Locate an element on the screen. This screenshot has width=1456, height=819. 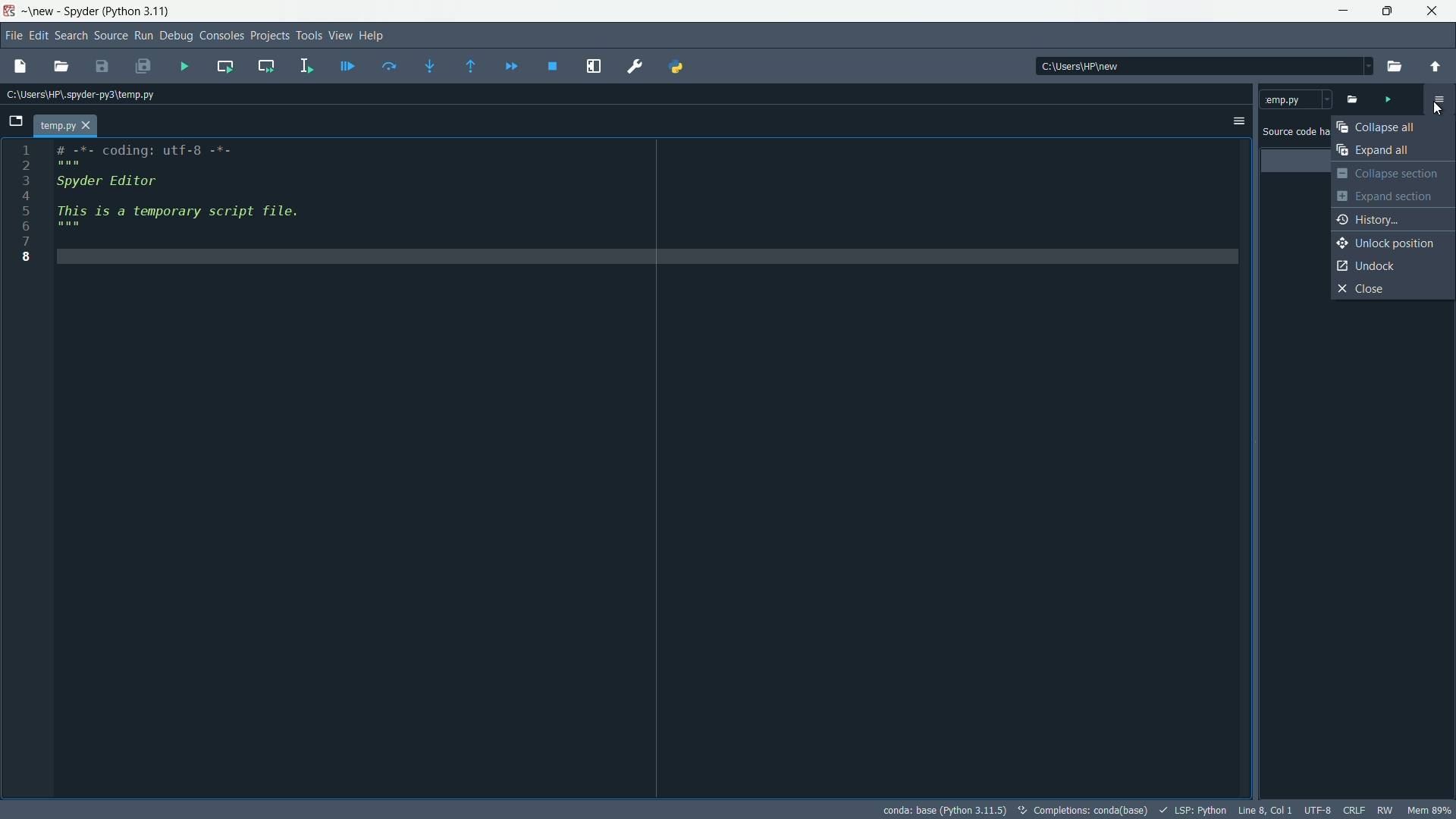
help menu is located at coordinates (375, 35).